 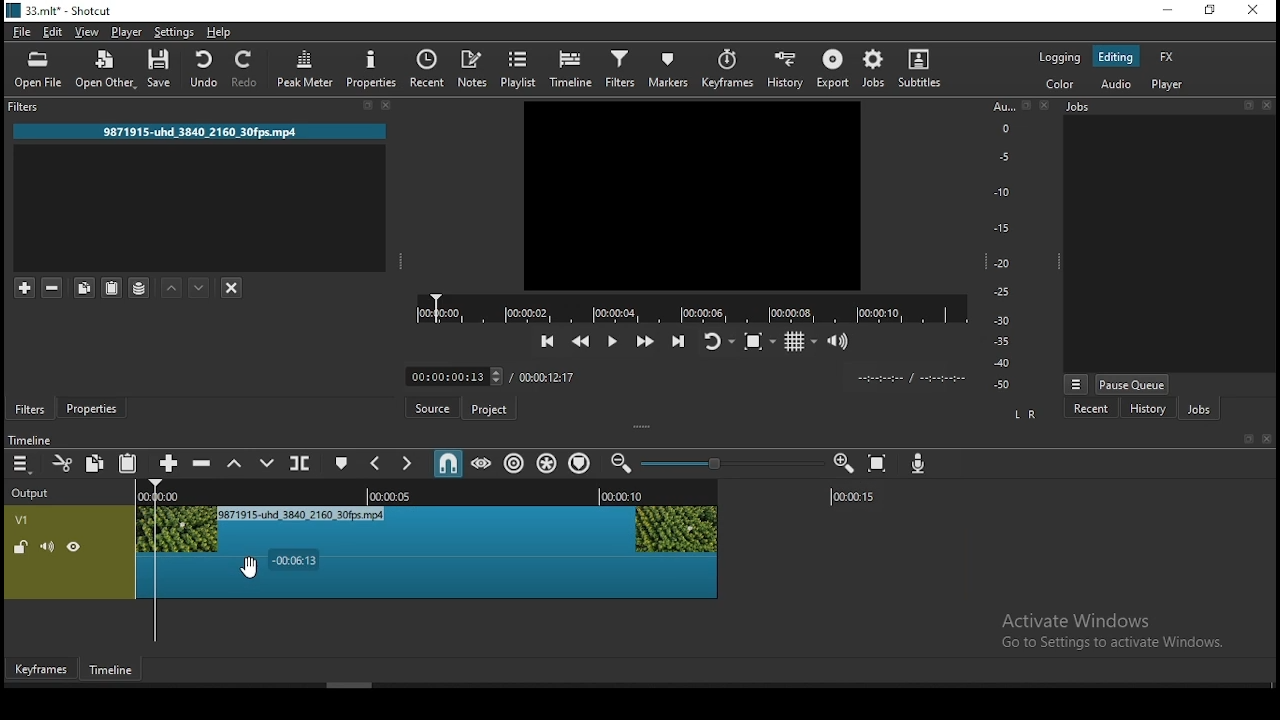 I want to click on paste filter, so click(x=110, y=289).